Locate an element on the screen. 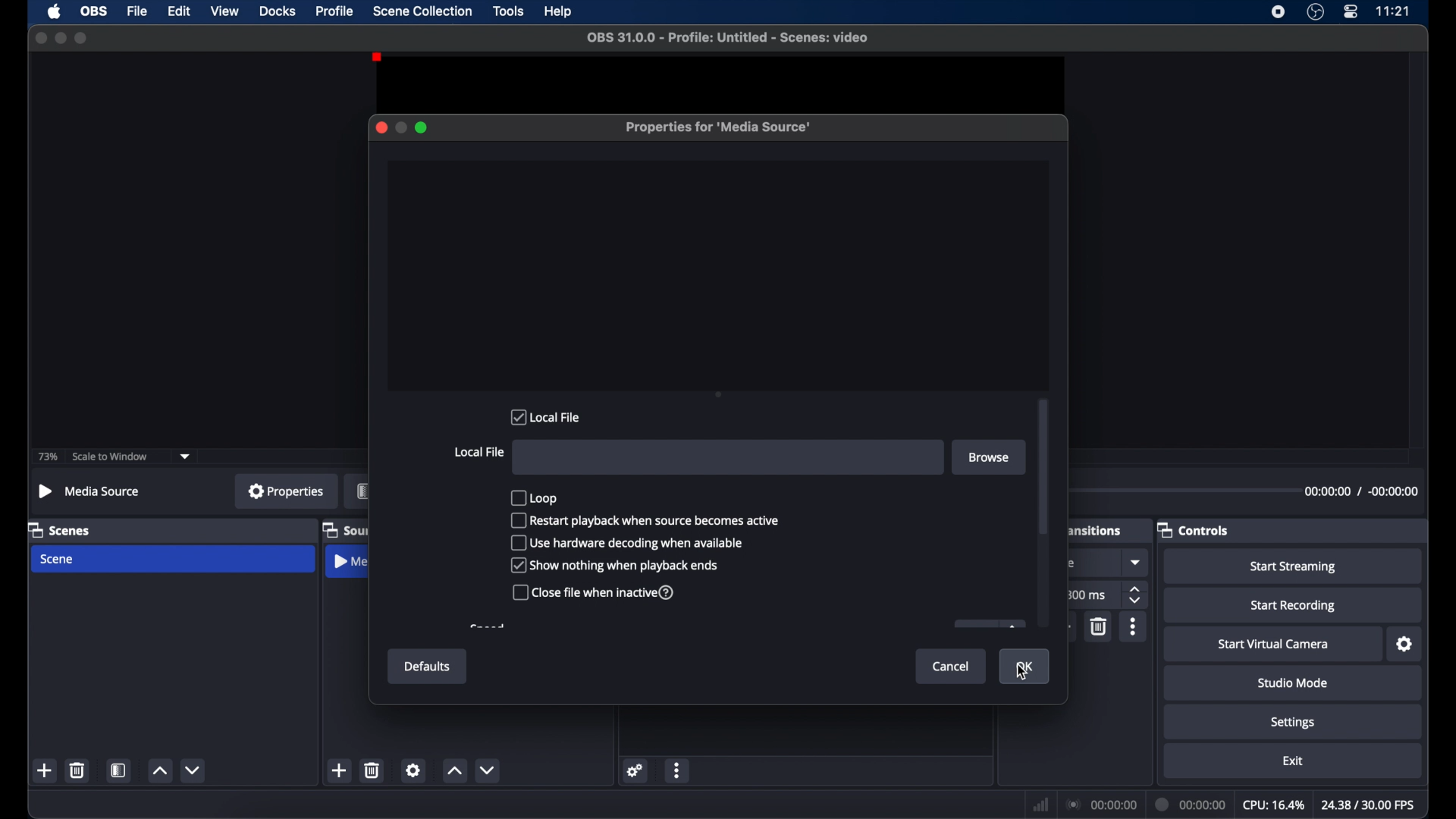 This screenshot has height=819, width=1456. more options is located at coordinates (677, 770).